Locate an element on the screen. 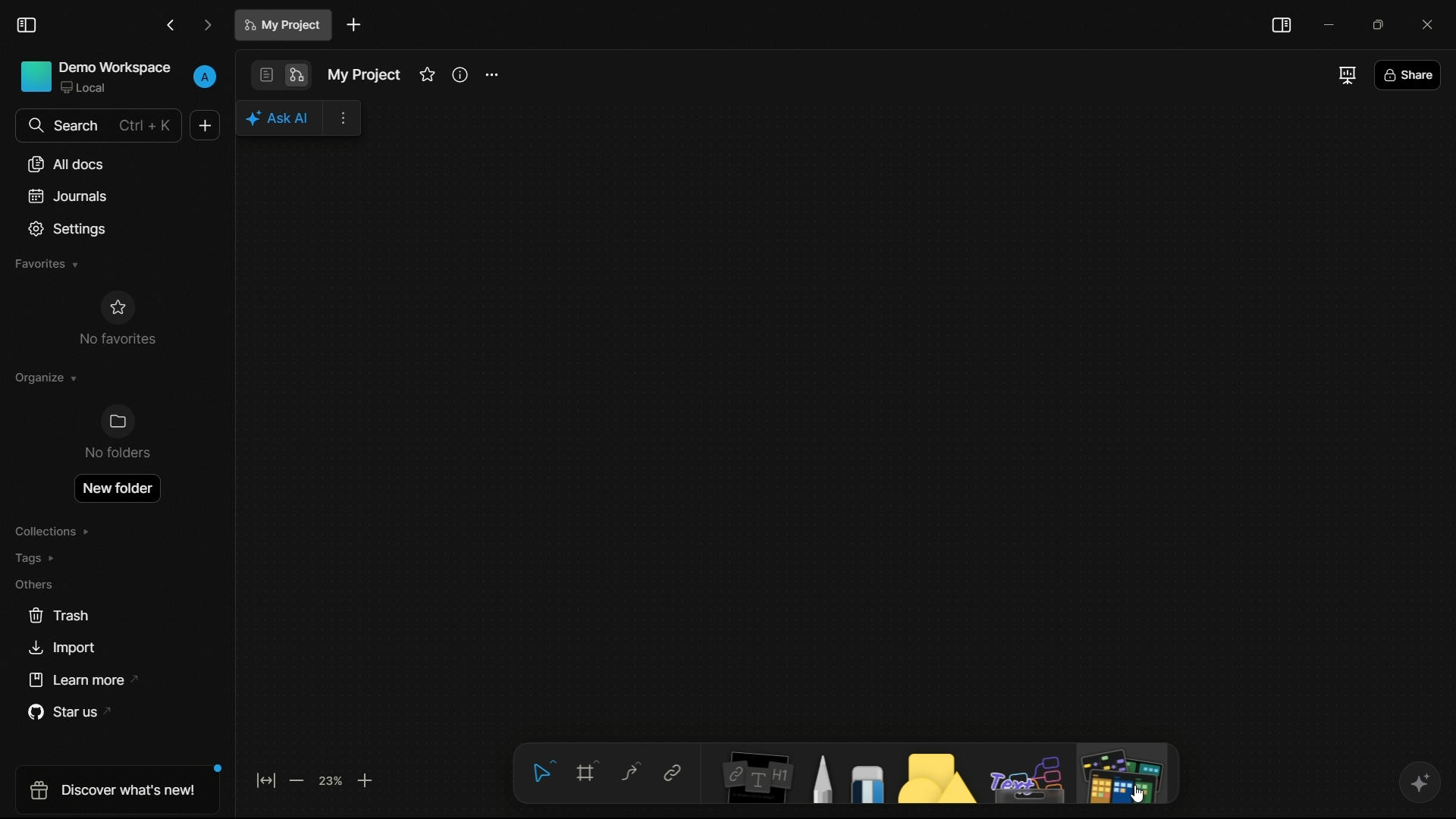  journals is located at coordinates (68, 196).